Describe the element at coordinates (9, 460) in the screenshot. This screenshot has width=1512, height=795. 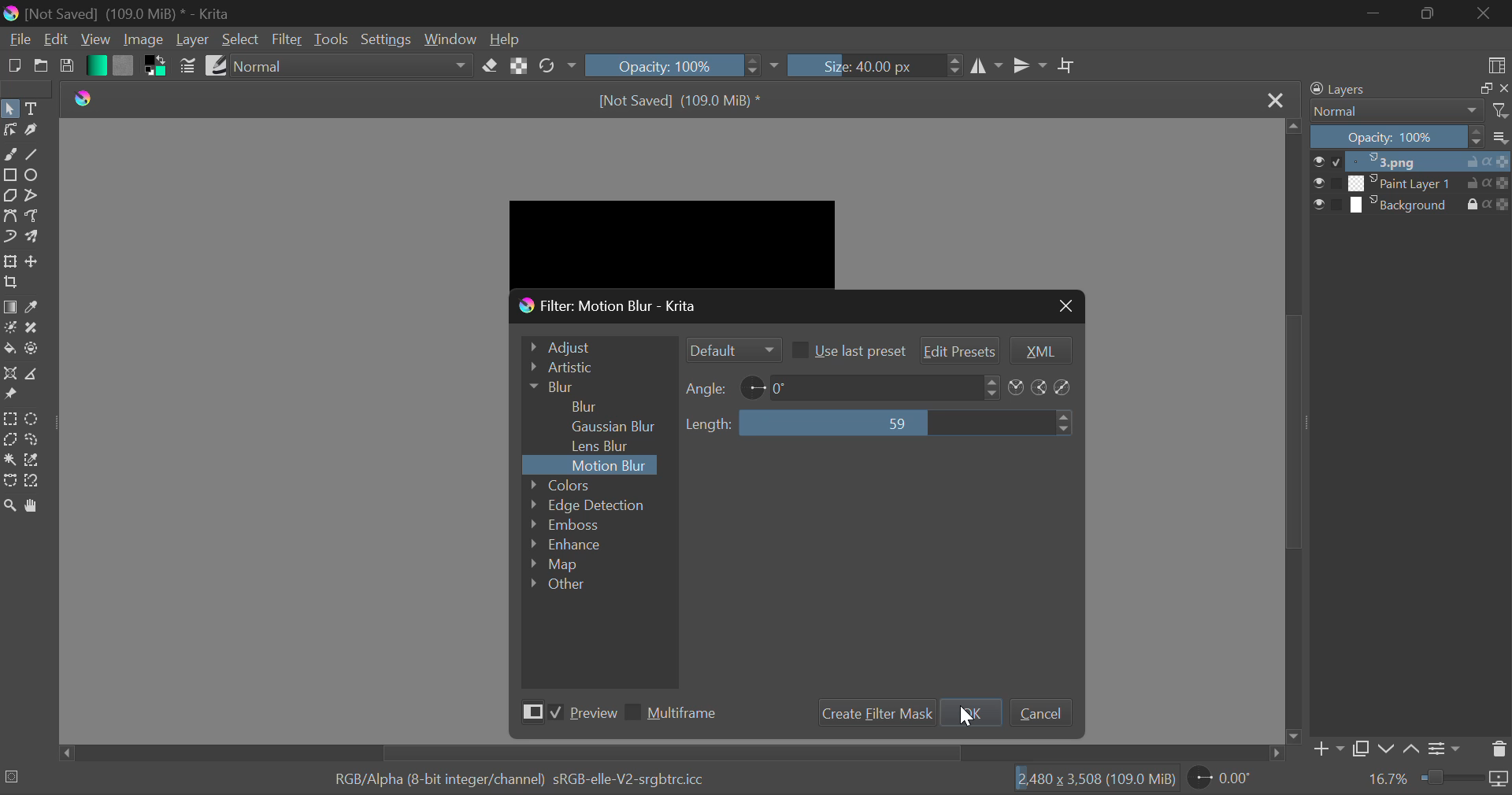
I see `Continuous Selection Tool` at that location.